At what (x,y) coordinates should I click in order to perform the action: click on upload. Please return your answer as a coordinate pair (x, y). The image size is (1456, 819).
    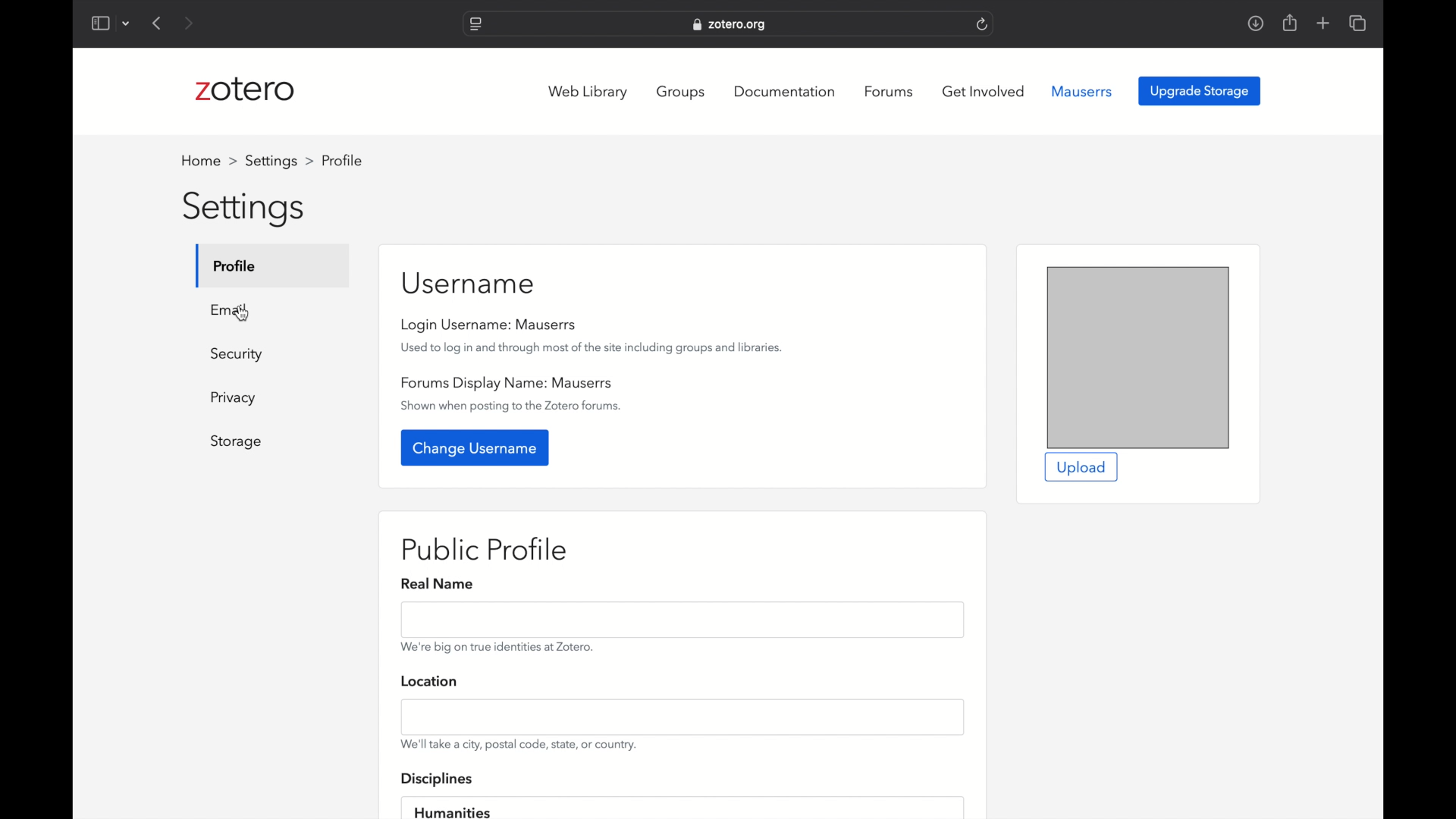
    Looking at the image, I should click on (1080, 468).